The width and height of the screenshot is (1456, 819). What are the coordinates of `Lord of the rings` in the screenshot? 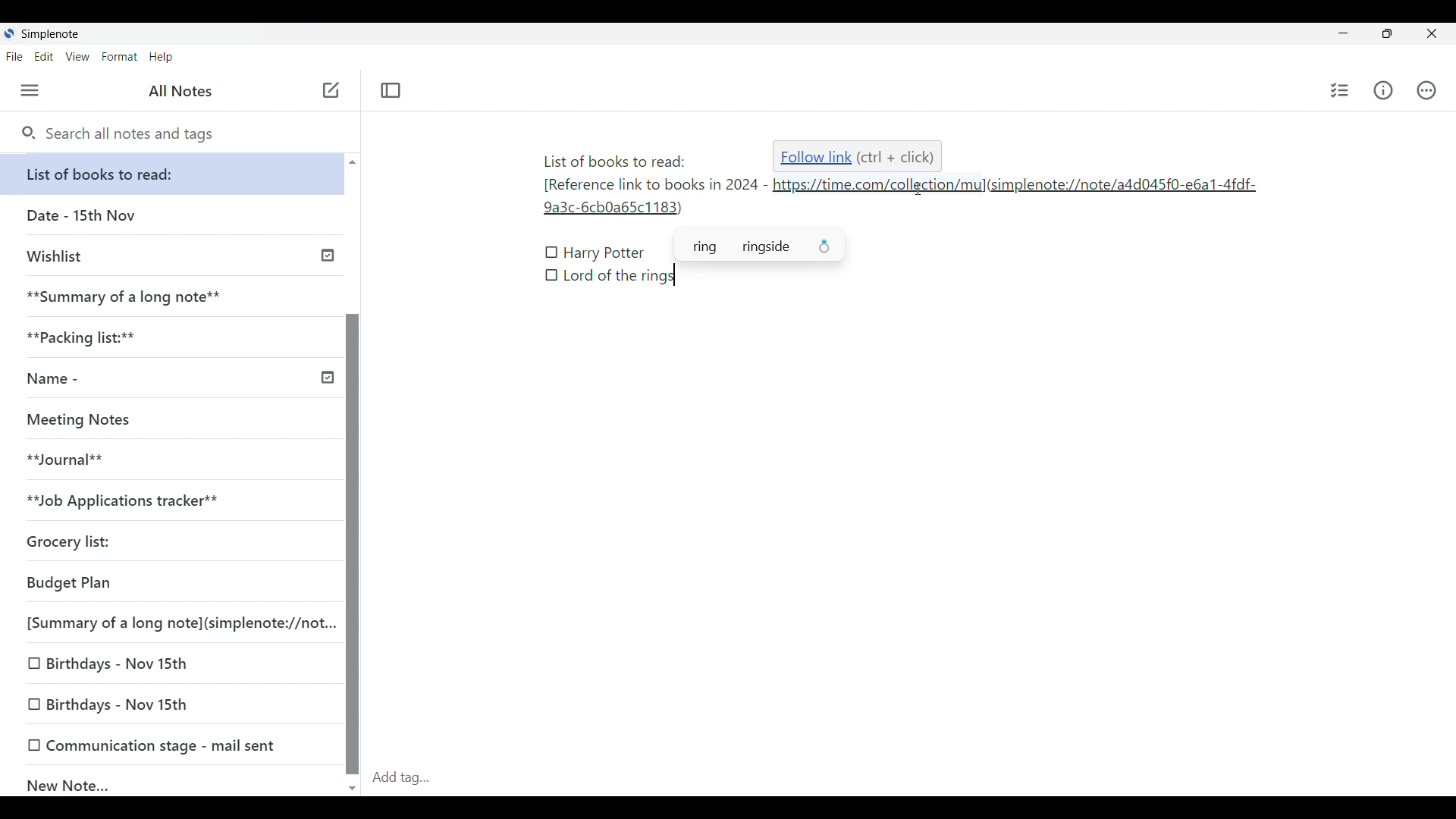 It's located at (619, 277).